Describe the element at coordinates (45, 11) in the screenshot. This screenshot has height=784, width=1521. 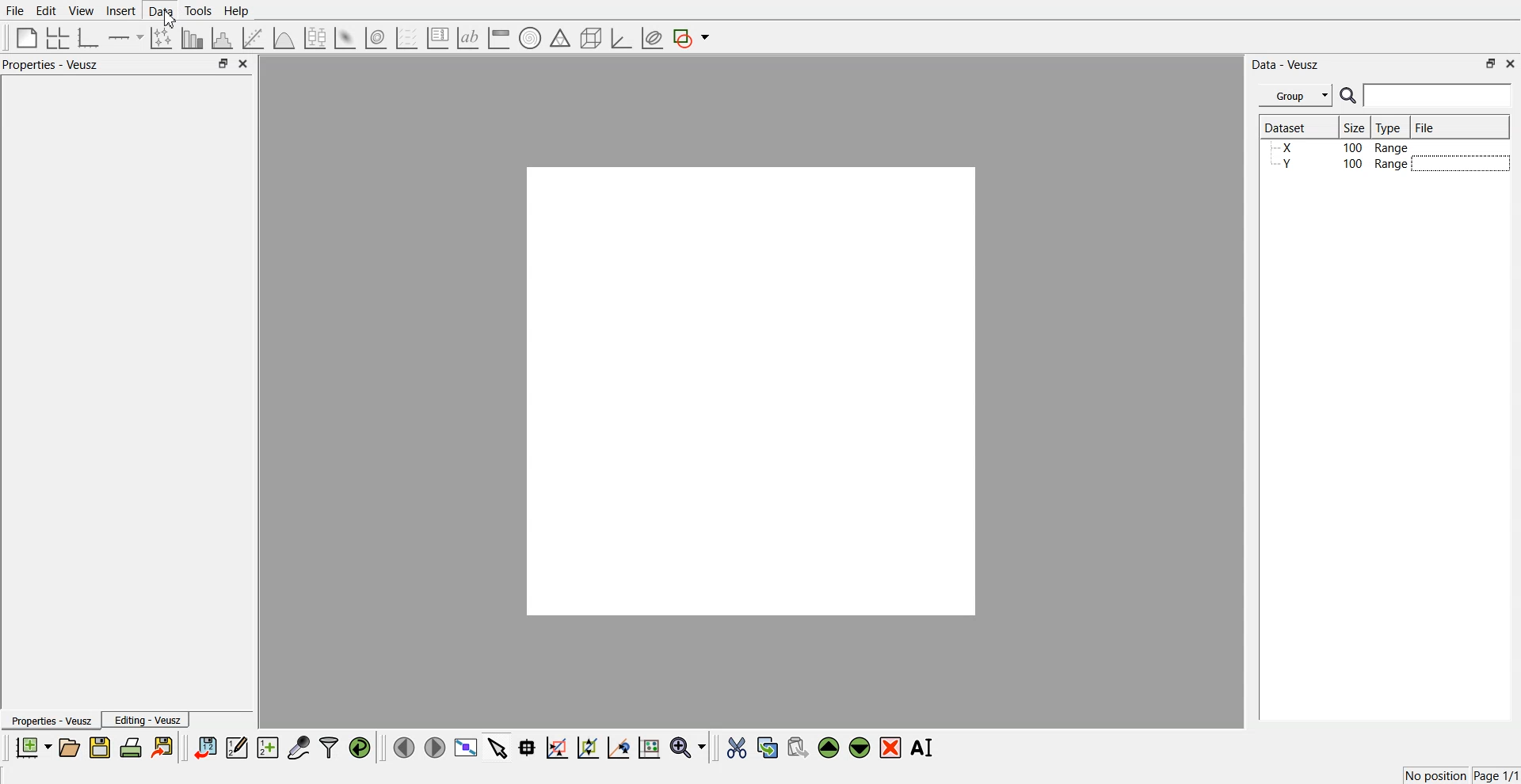
I see `Edit` at that location.